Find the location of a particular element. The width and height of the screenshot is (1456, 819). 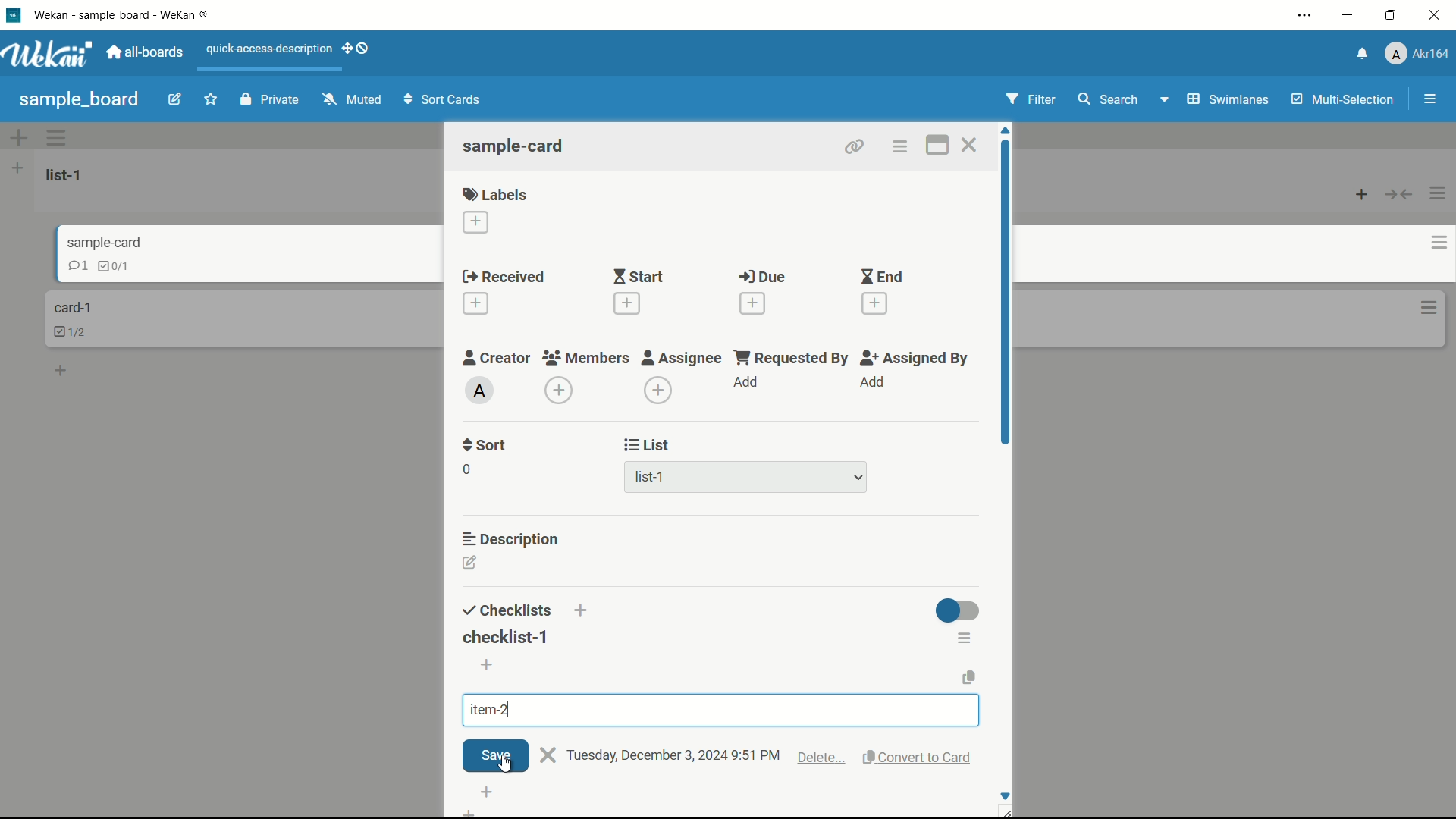

add card to top of list is located at coordinates (1362, 196).